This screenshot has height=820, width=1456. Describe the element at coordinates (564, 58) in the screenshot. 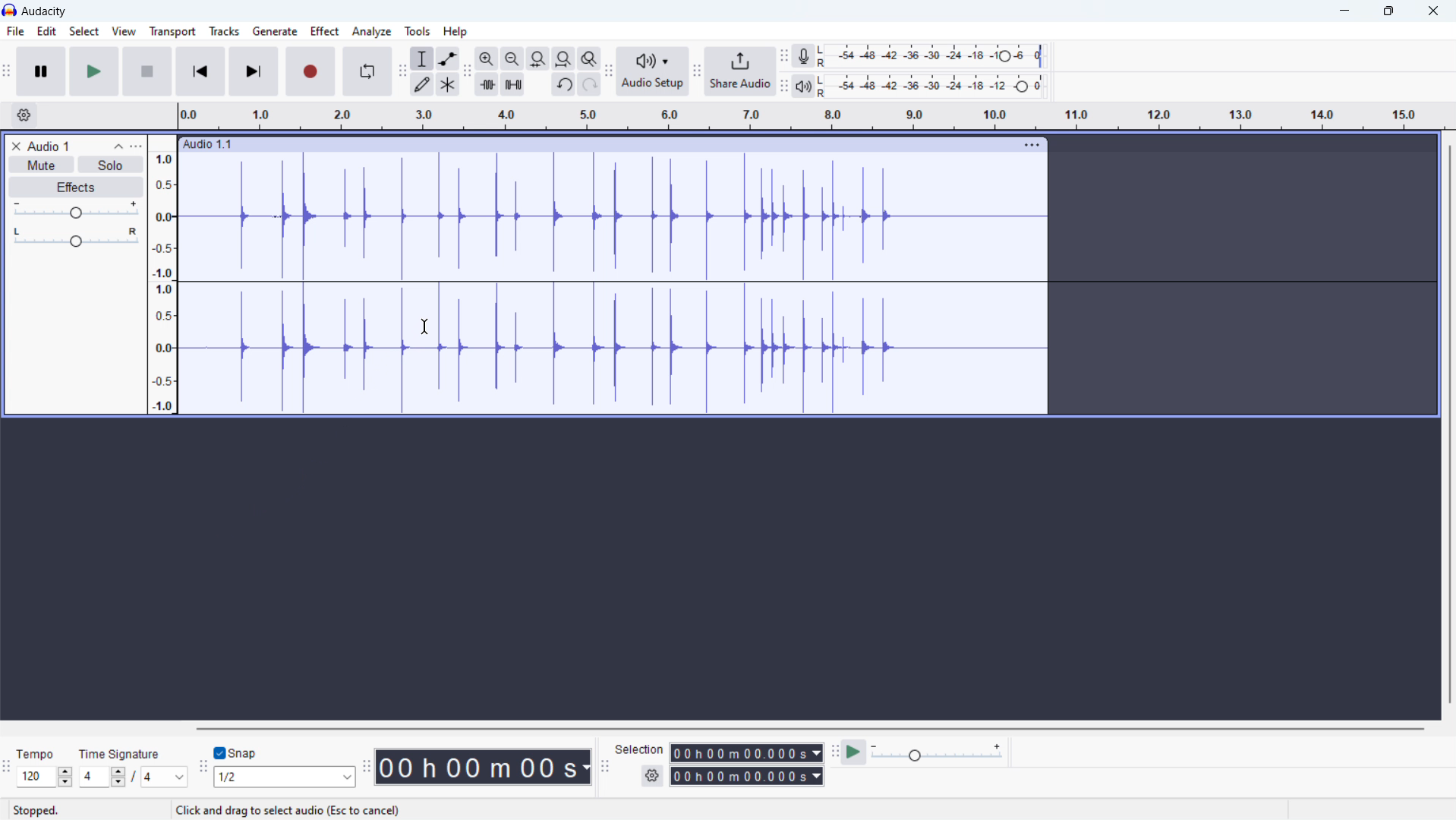

I see `fit project to width` at that location.